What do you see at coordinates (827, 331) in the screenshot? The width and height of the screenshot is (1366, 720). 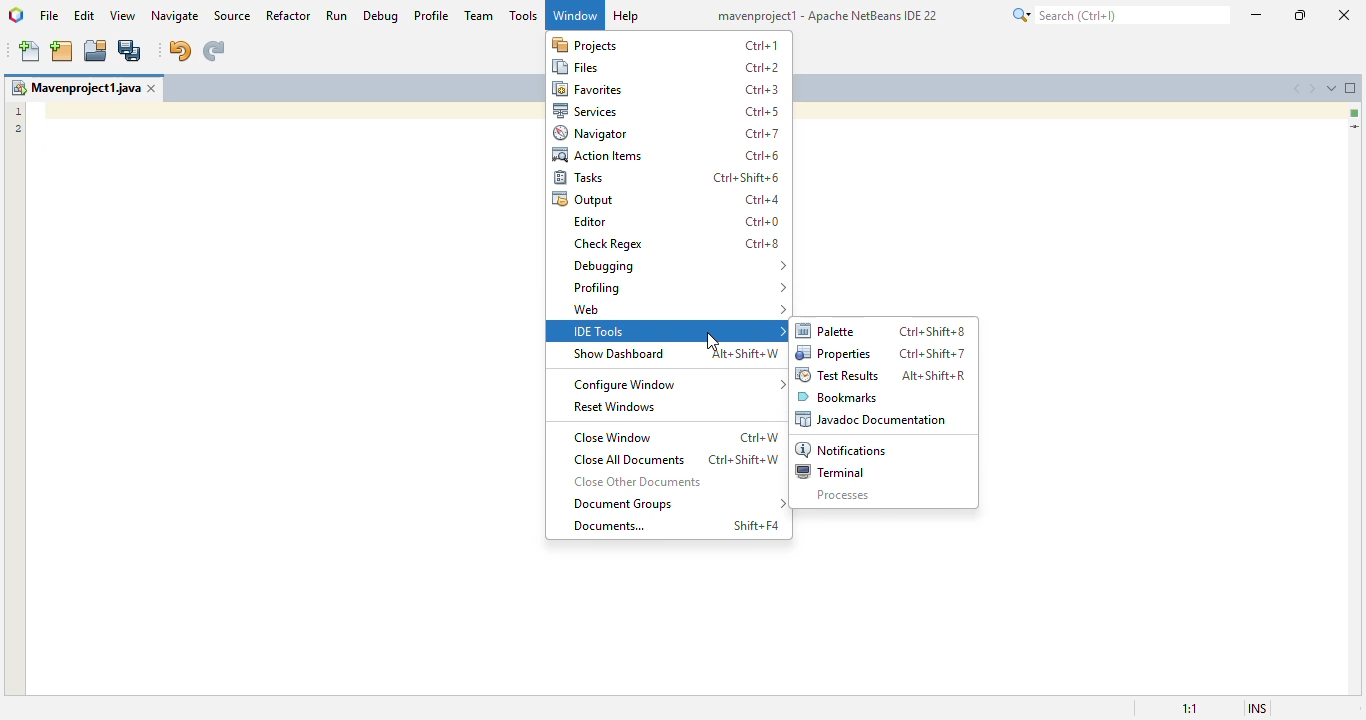 I see `palette` at bounding box center [827, 331].